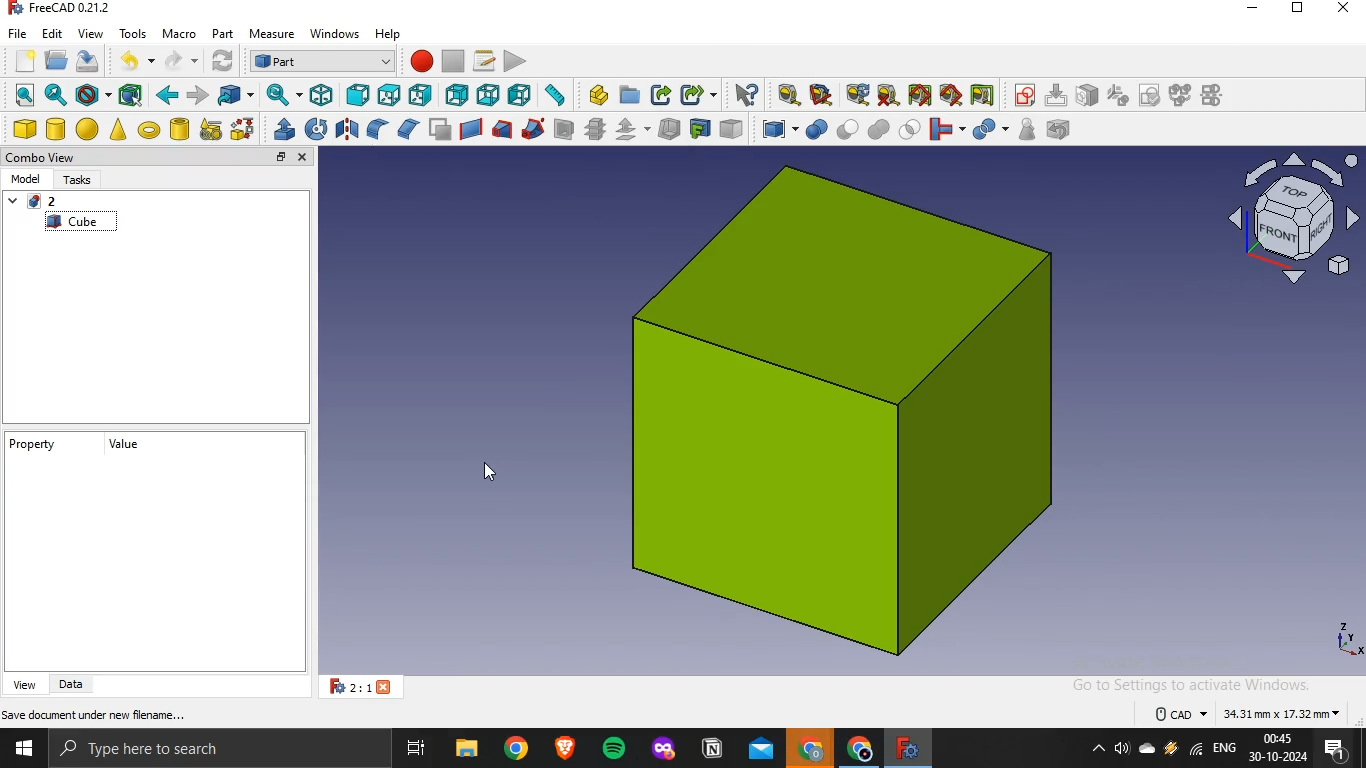 The image size is (1366, 768). I want to click on go to linked object, so click(235, 94).